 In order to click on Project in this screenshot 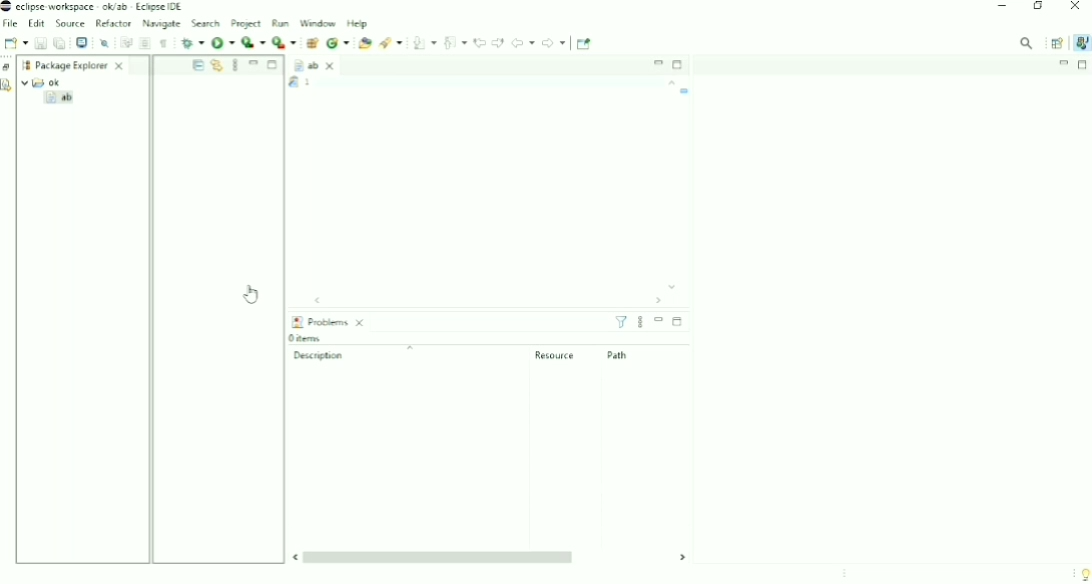, I will do `click(245, 23)`.